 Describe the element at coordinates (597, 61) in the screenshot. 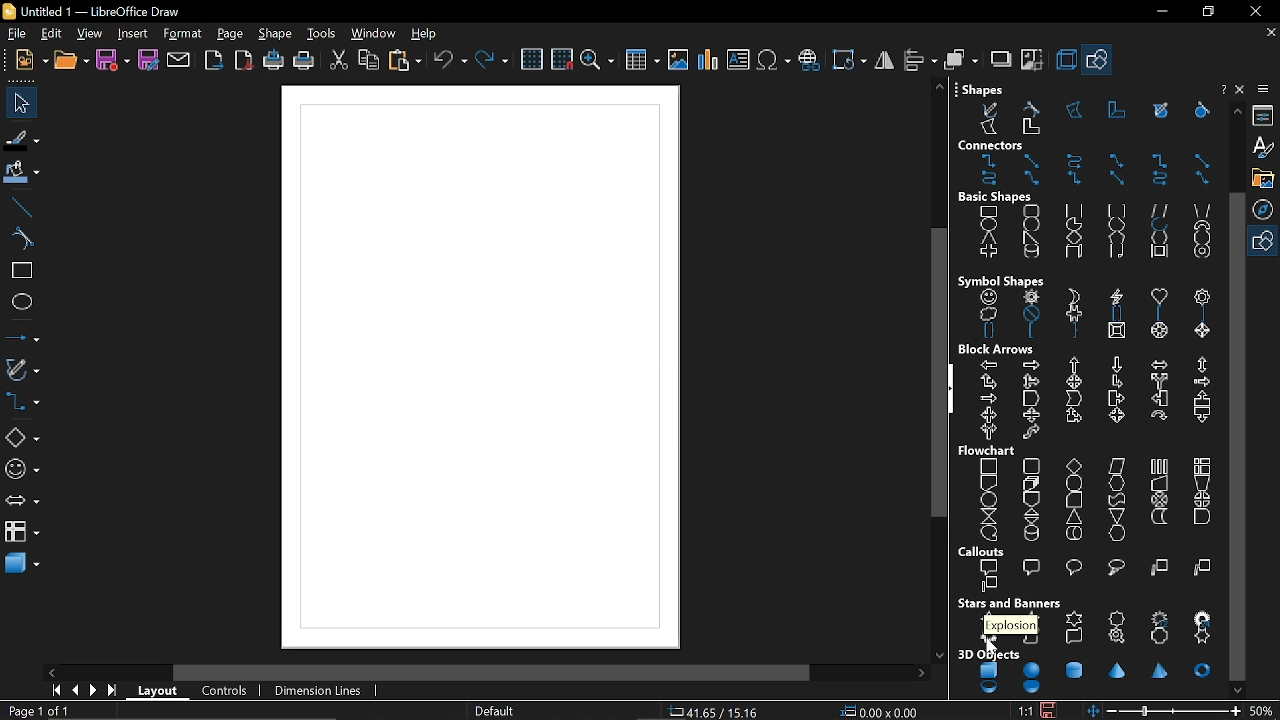

I see `zoom` at that location.